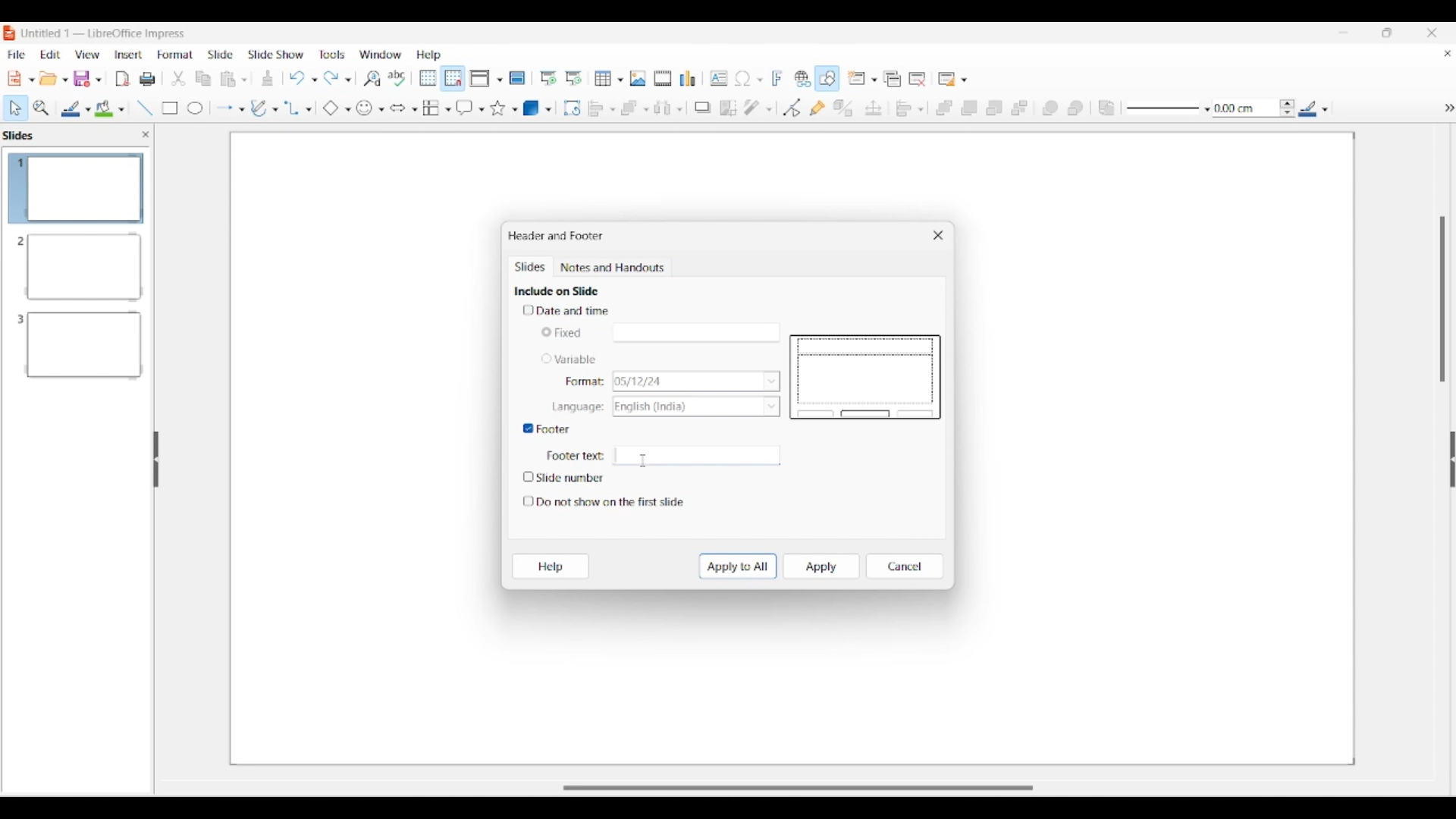  Describe the element at coordinates (453, 79) in the screenshot. I see `Snap to grid highlighted` at that location.